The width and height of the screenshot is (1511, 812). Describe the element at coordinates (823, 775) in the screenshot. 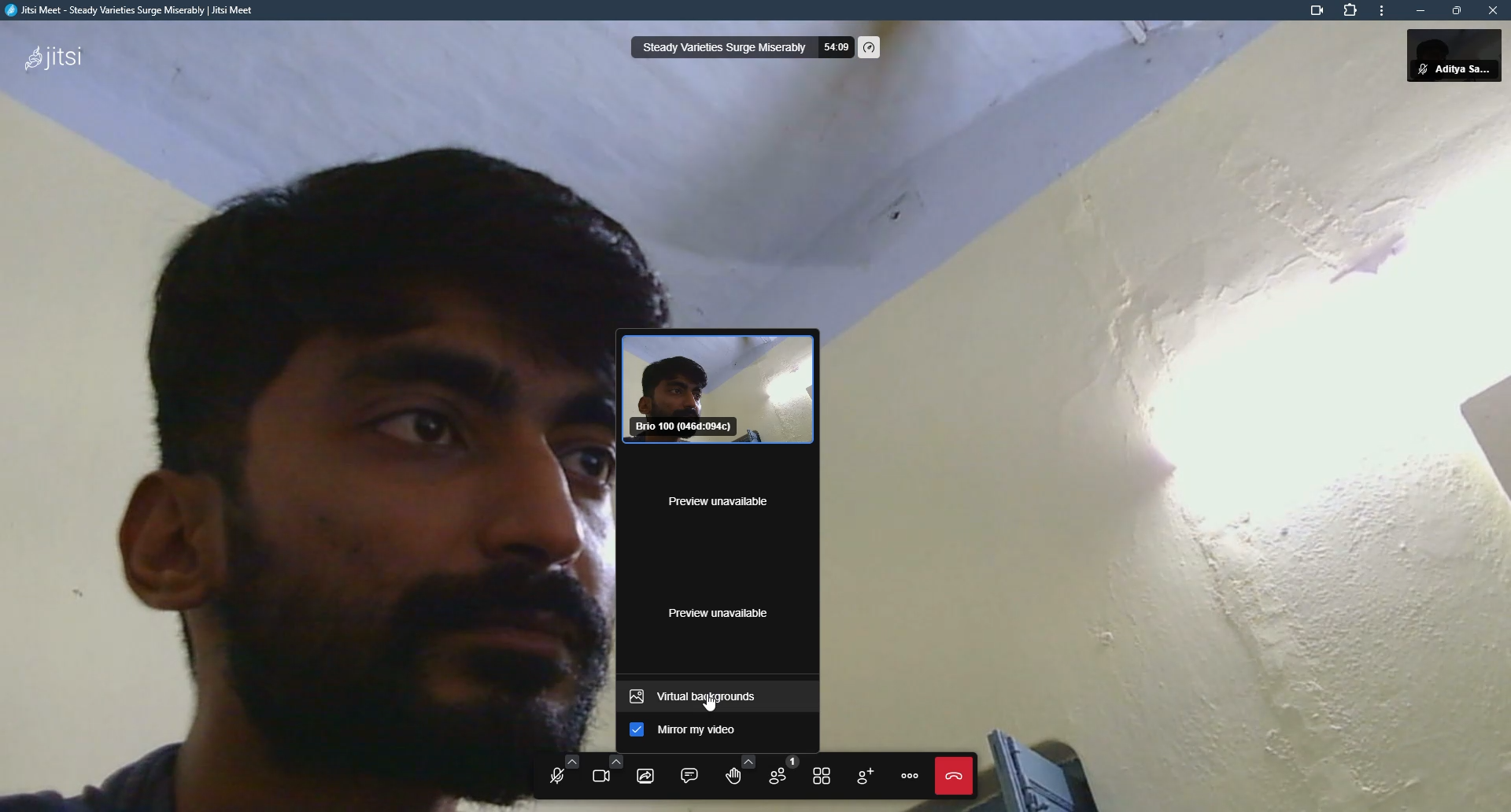

I see `toggle tile view` at that location.